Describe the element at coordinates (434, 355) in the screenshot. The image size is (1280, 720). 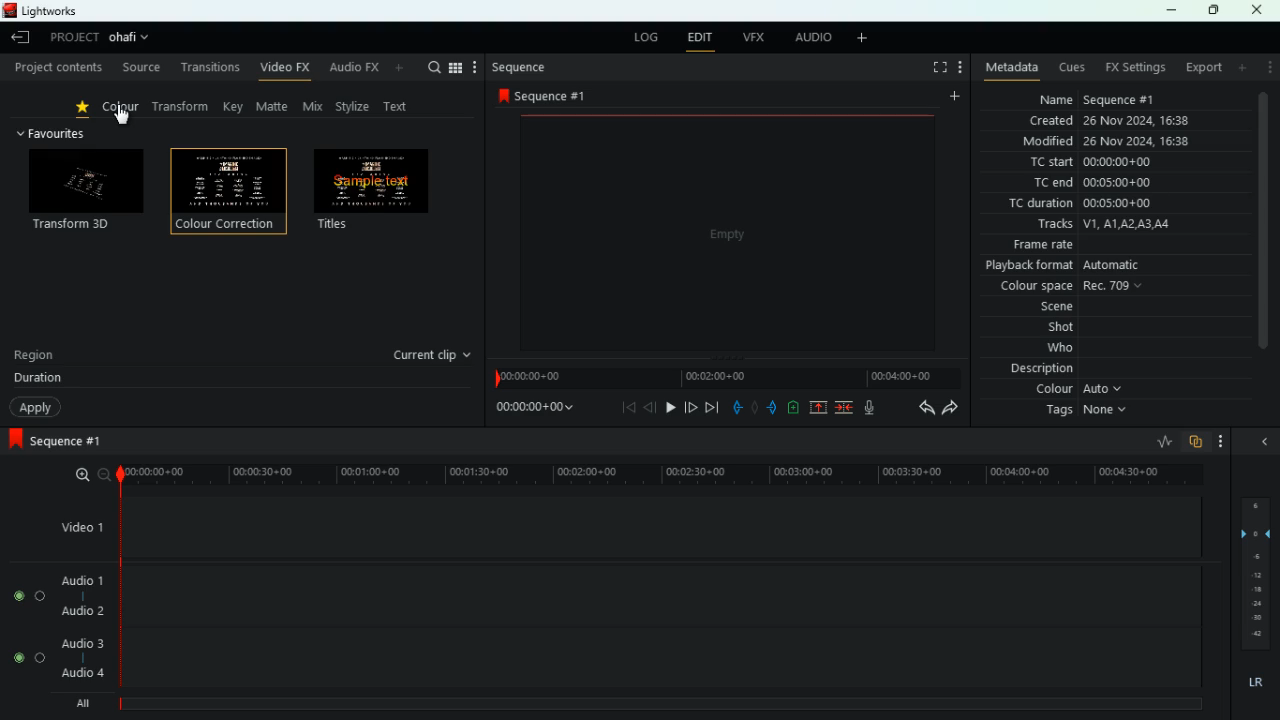
I see `current clip` at that location.